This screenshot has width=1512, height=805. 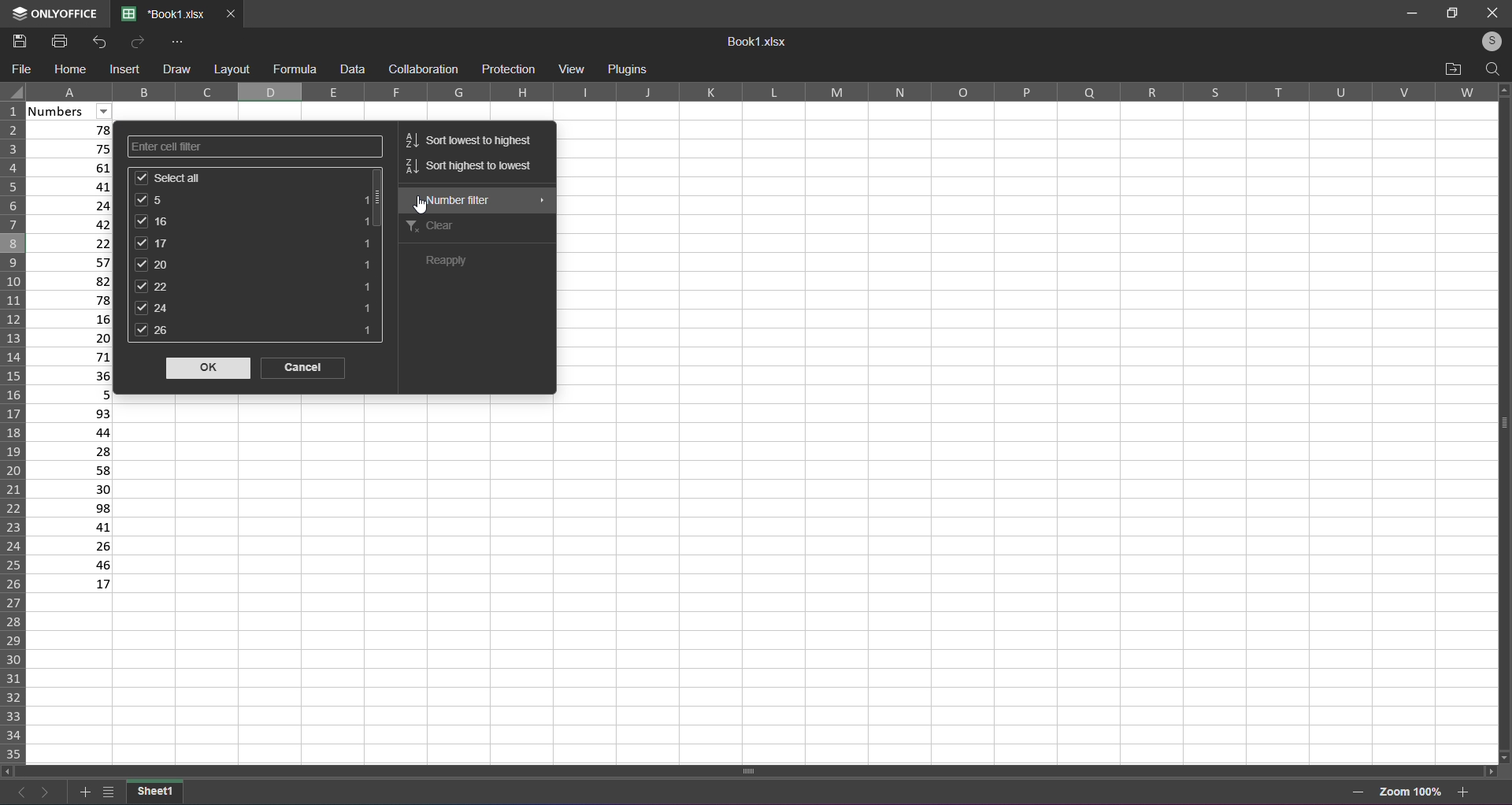 What do you see at coordinates (232, 14) in the screenshot?
I see `Close Tab` at bounding box center [232, 14].